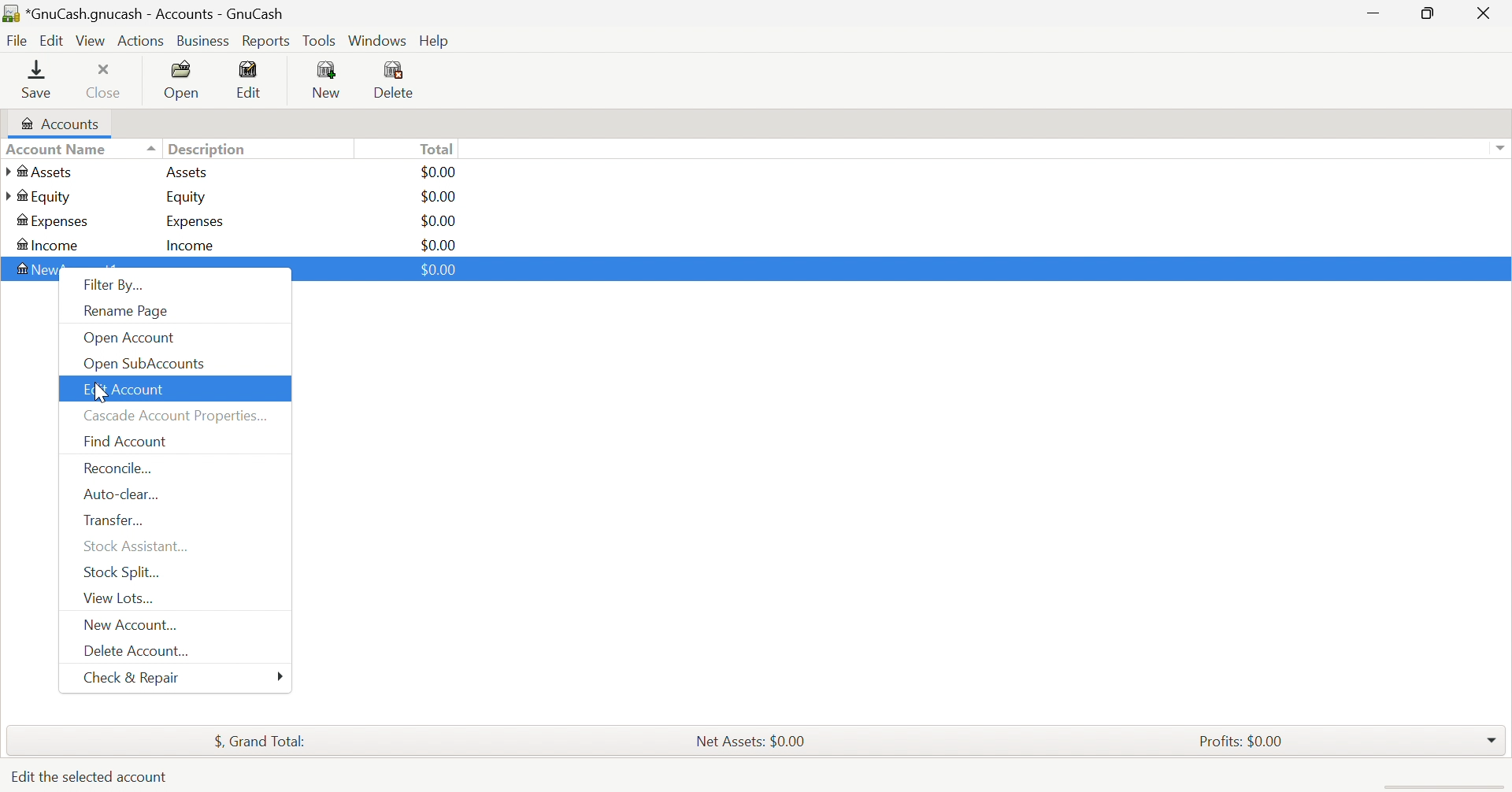  Describe the element at coordinates (1430, 15) in the screenshot. I see `Restore Down` at that location.